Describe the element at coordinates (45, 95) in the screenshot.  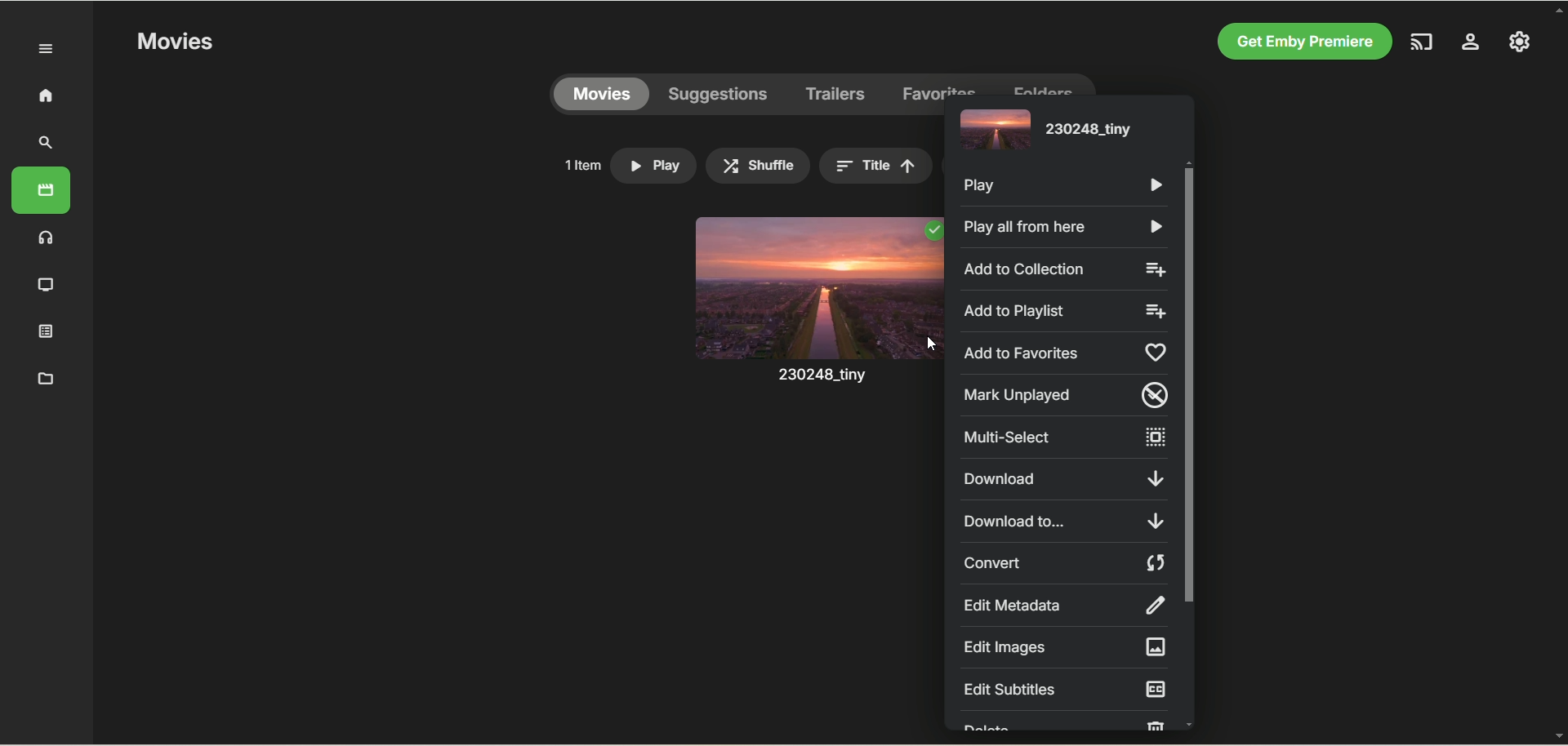
I see `home` at that location.